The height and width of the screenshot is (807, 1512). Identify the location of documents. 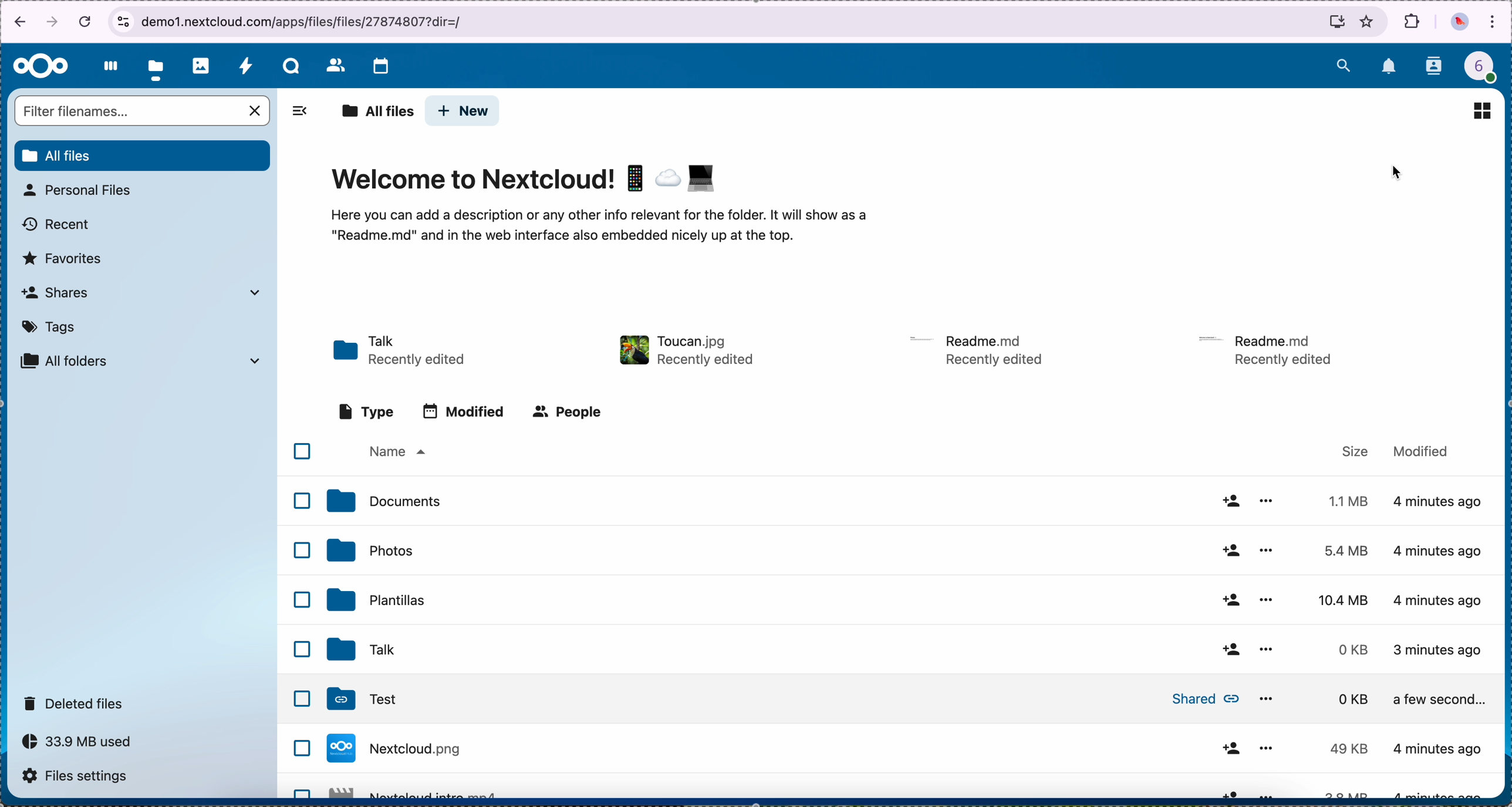
(383, 501).